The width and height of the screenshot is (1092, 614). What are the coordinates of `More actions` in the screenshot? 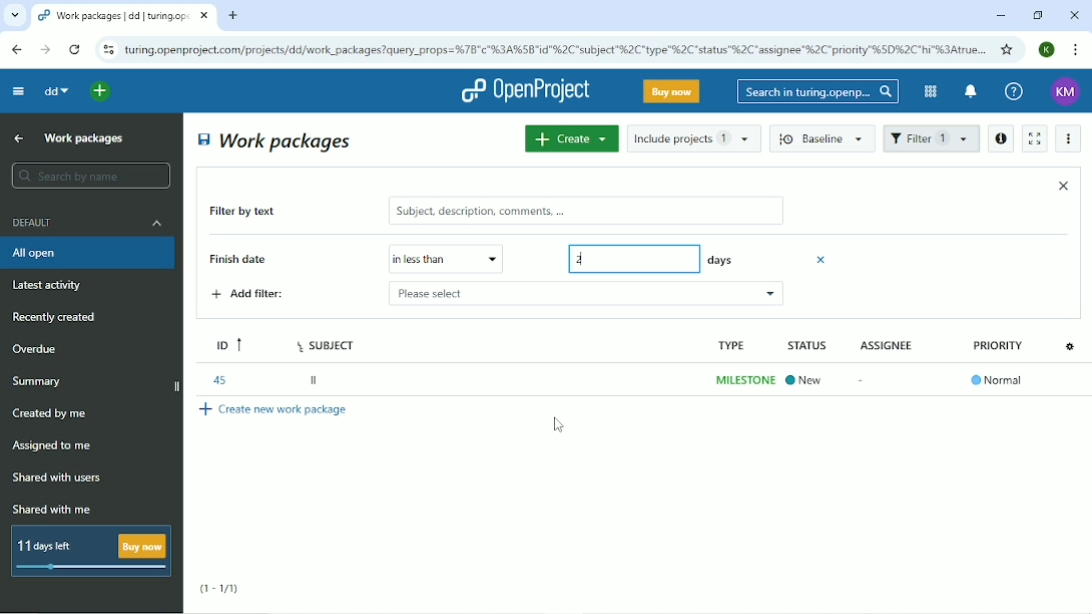 It's located at (1070, 139).